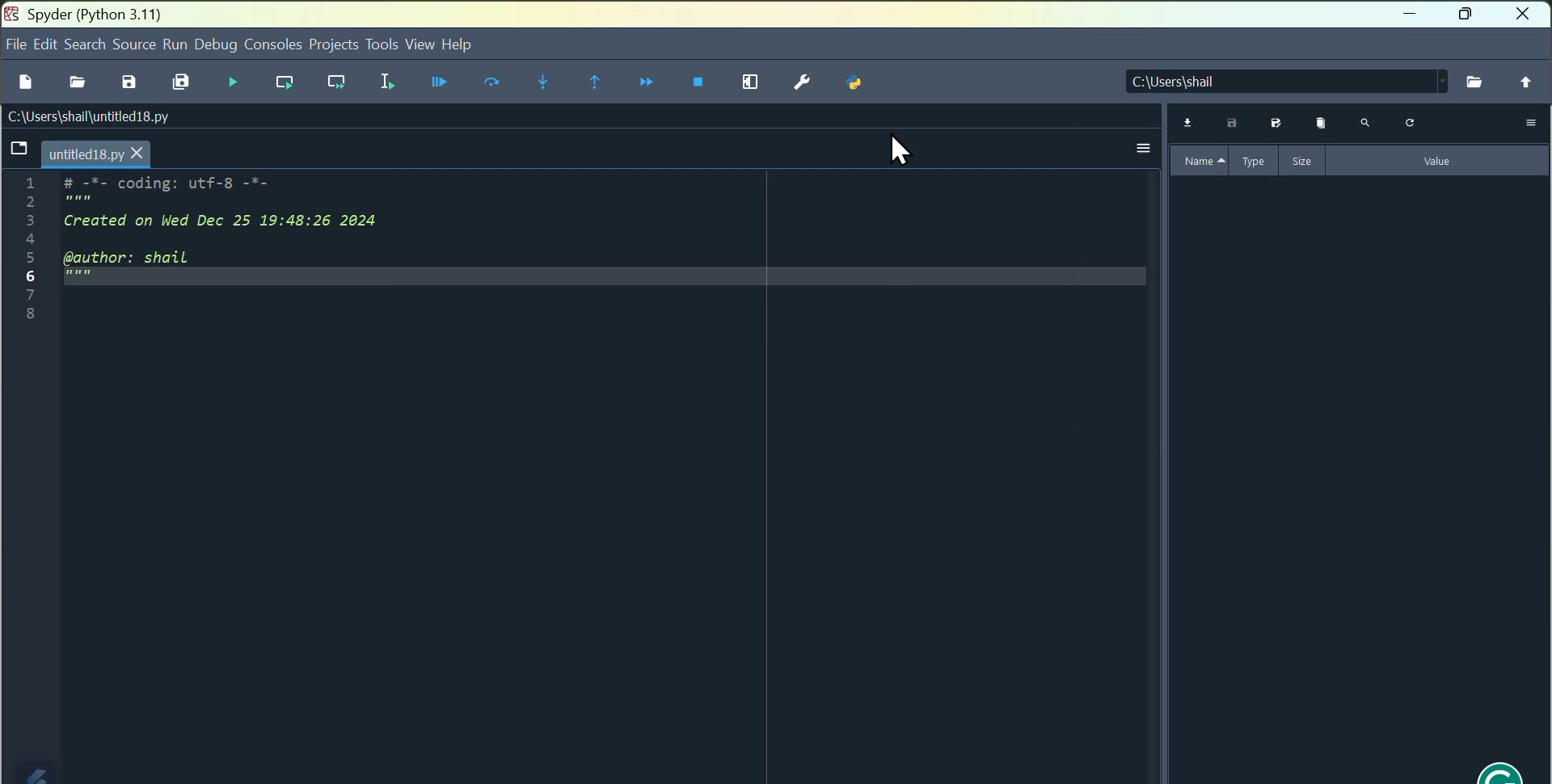  Describe the element at coordinates (28, 255) in the screenshot. I see `line numbers` at that location.